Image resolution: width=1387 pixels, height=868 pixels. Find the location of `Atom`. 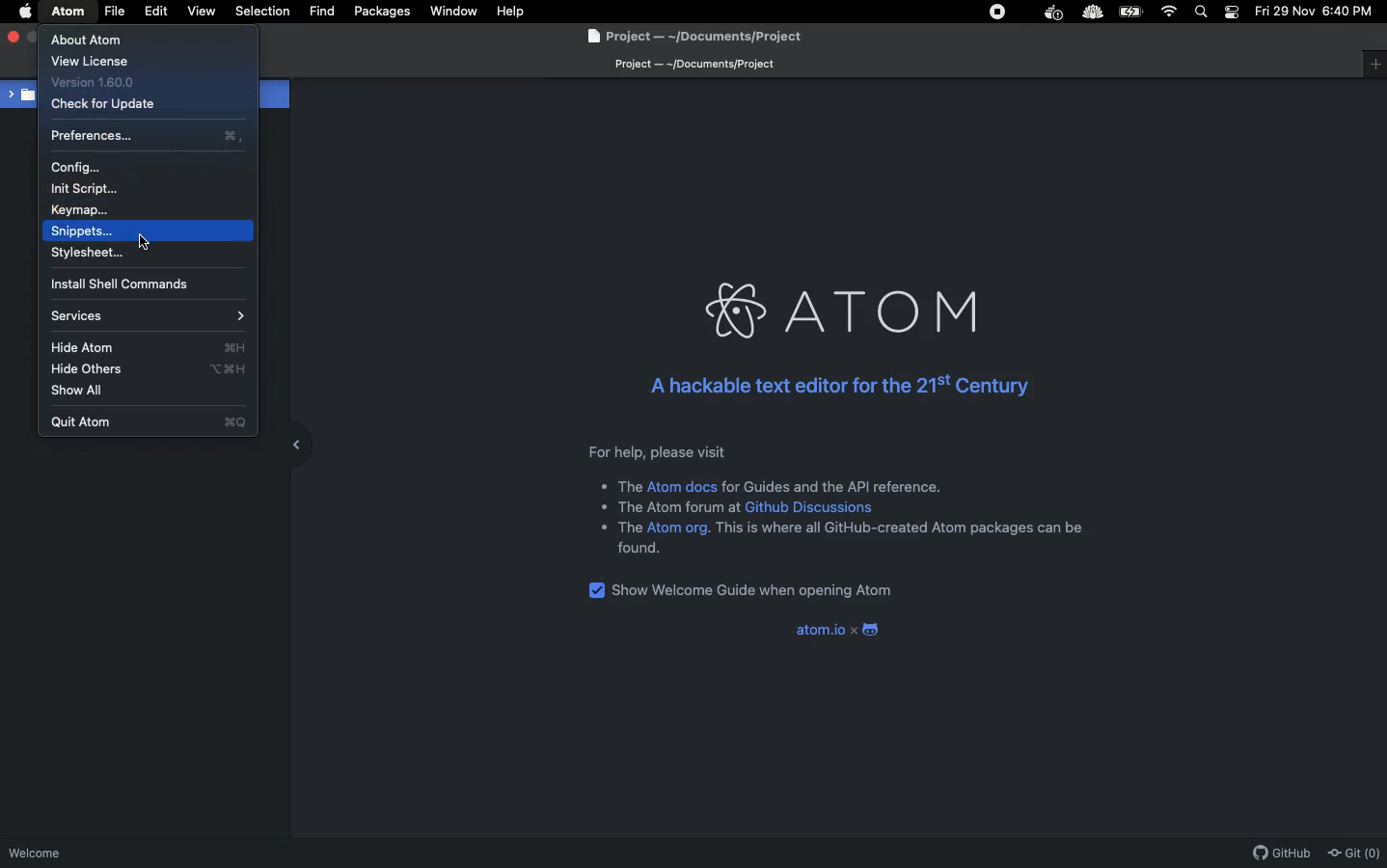

Atom is located at coordinates (854, 312).